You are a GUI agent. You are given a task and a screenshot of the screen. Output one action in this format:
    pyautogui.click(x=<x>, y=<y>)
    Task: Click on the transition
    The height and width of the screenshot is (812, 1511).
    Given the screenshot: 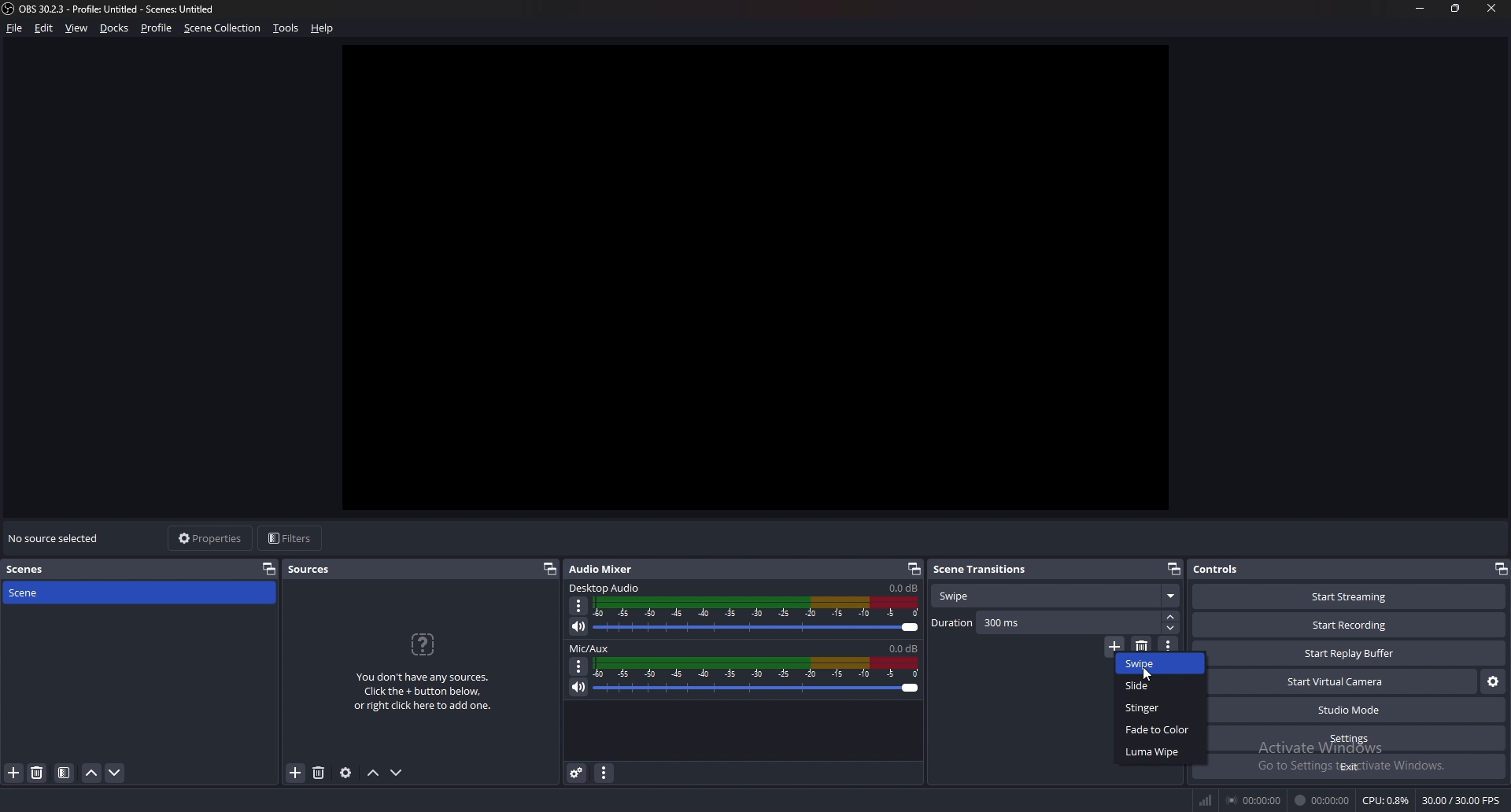 What is the action you would take?
    pyautogui.click(x=1056, y=595)
    